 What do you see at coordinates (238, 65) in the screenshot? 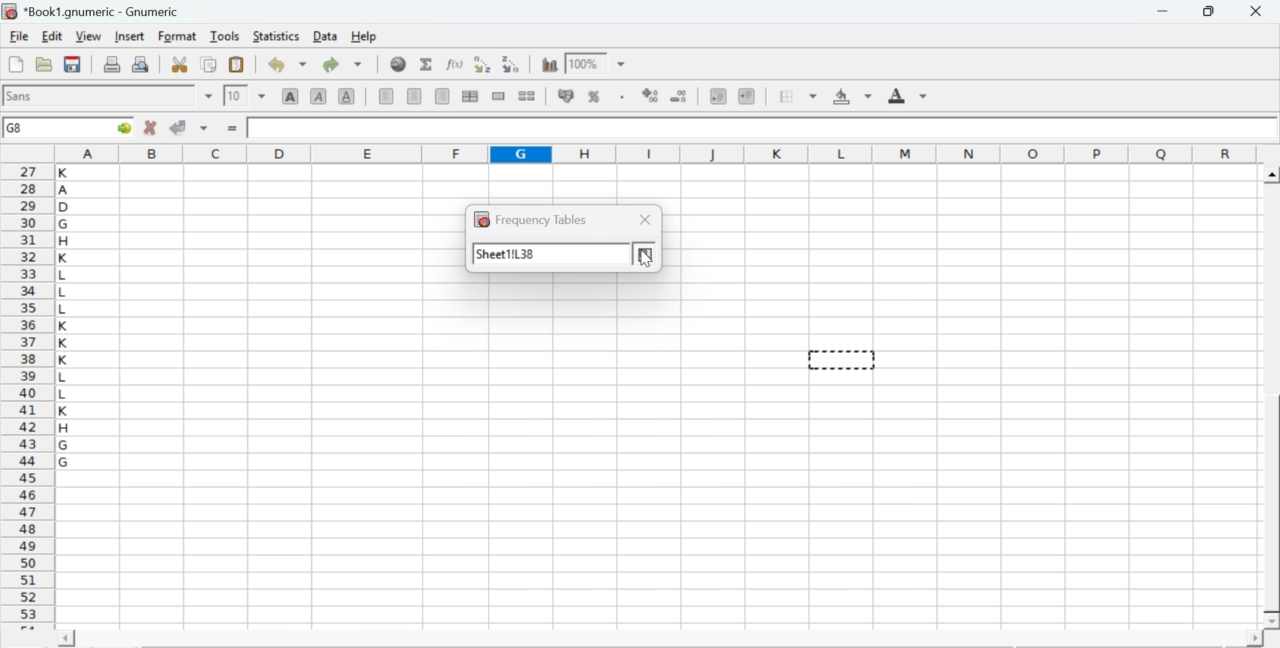
I see `paste` at bounding box center [238, 65].